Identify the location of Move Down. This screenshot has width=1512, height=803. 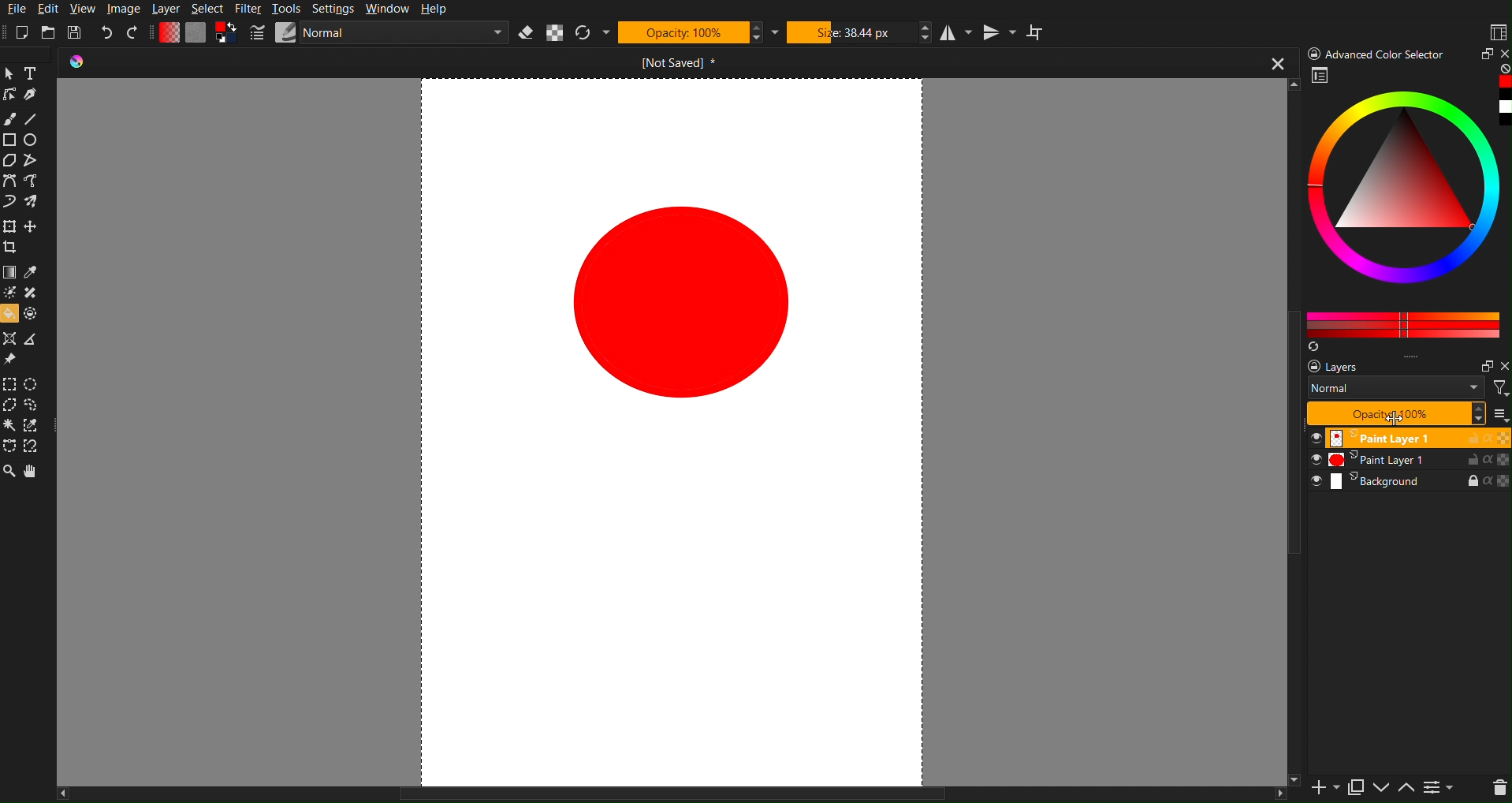
(1410, 790).